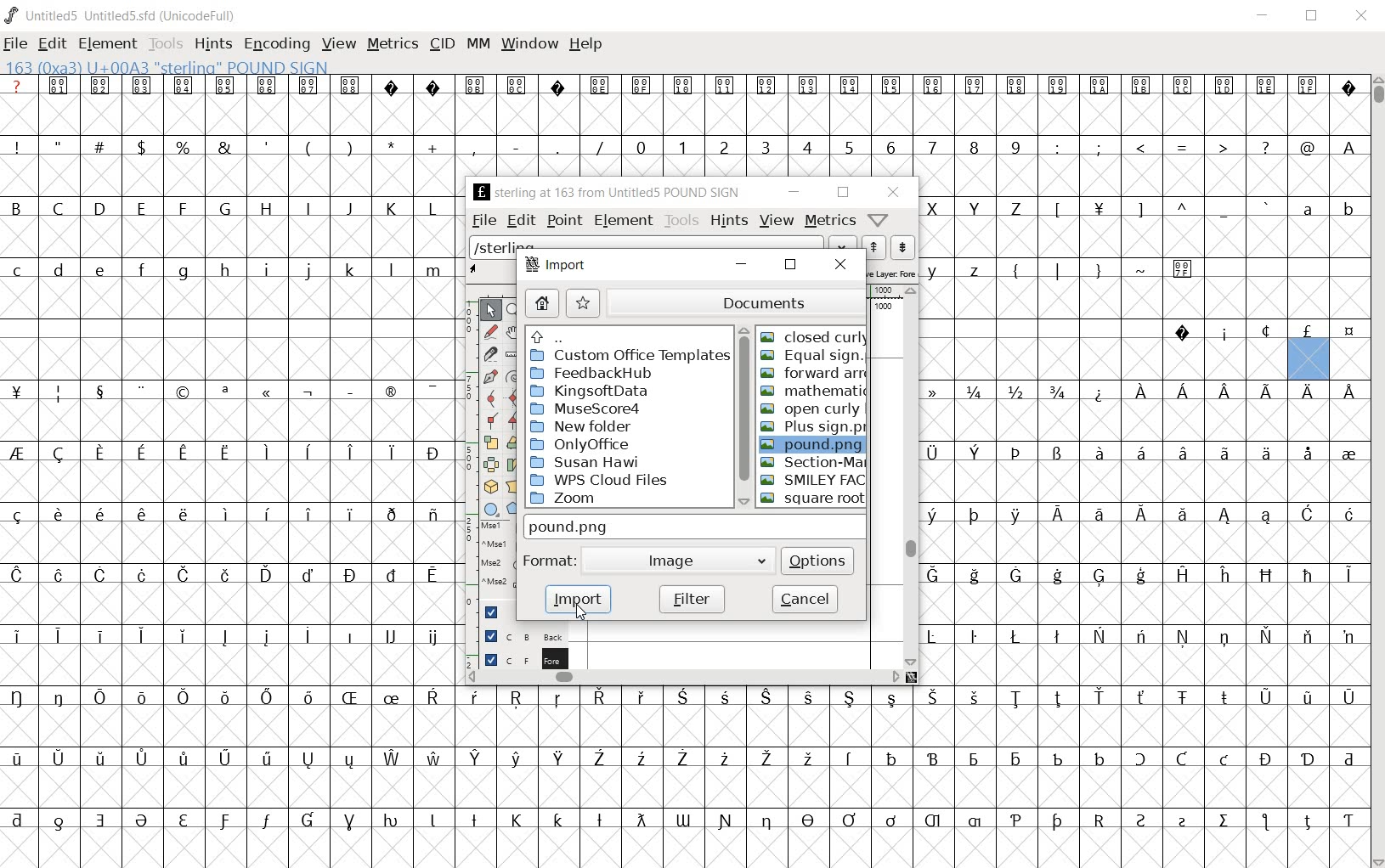 The height and width of the screenshot is (868, 1385). What do you see at coordinates (1264, 148) in the screenshot?
I see `?` at bounding box center [1264, 148].